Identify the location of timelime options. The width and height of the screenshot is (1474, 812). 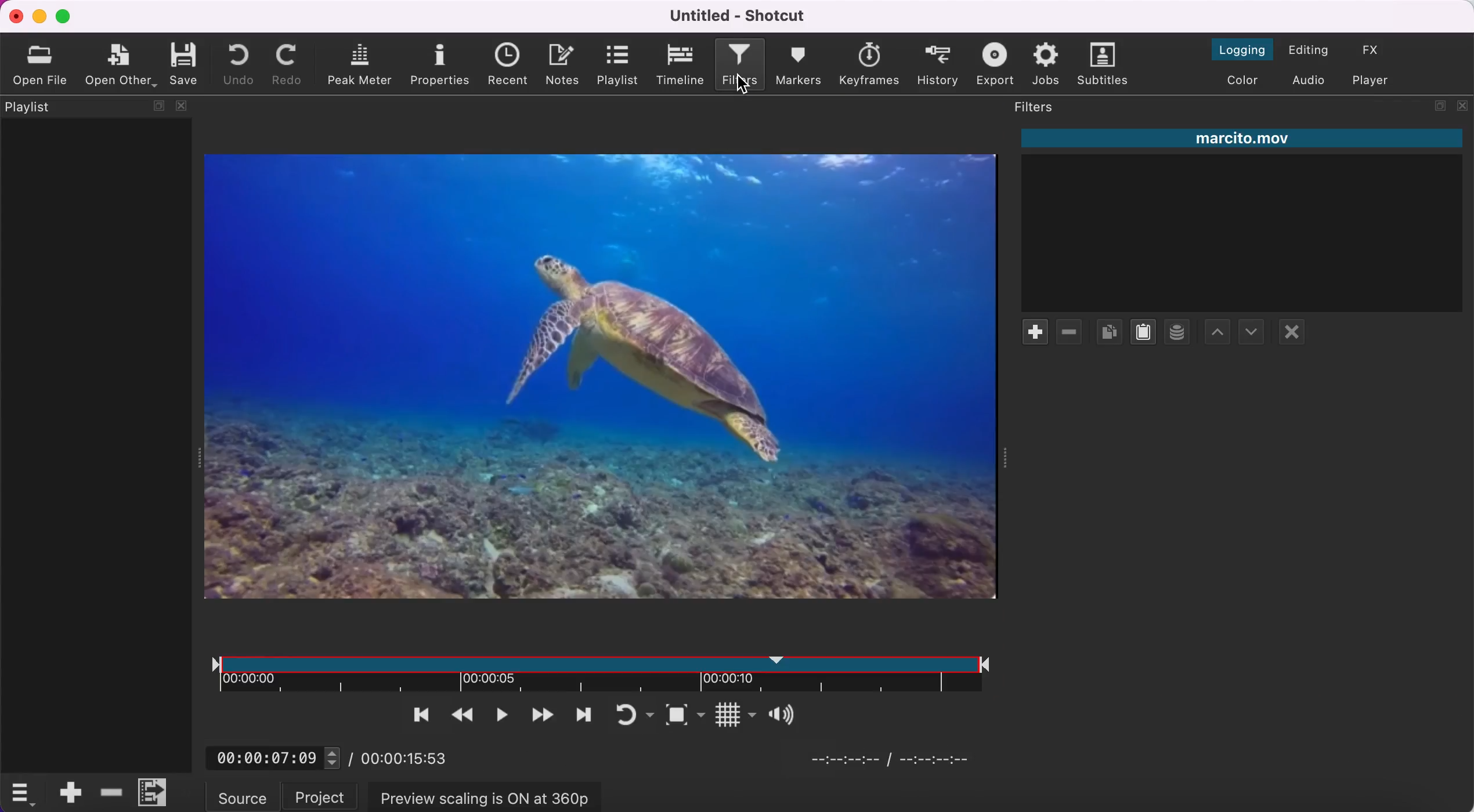
(24, 793).